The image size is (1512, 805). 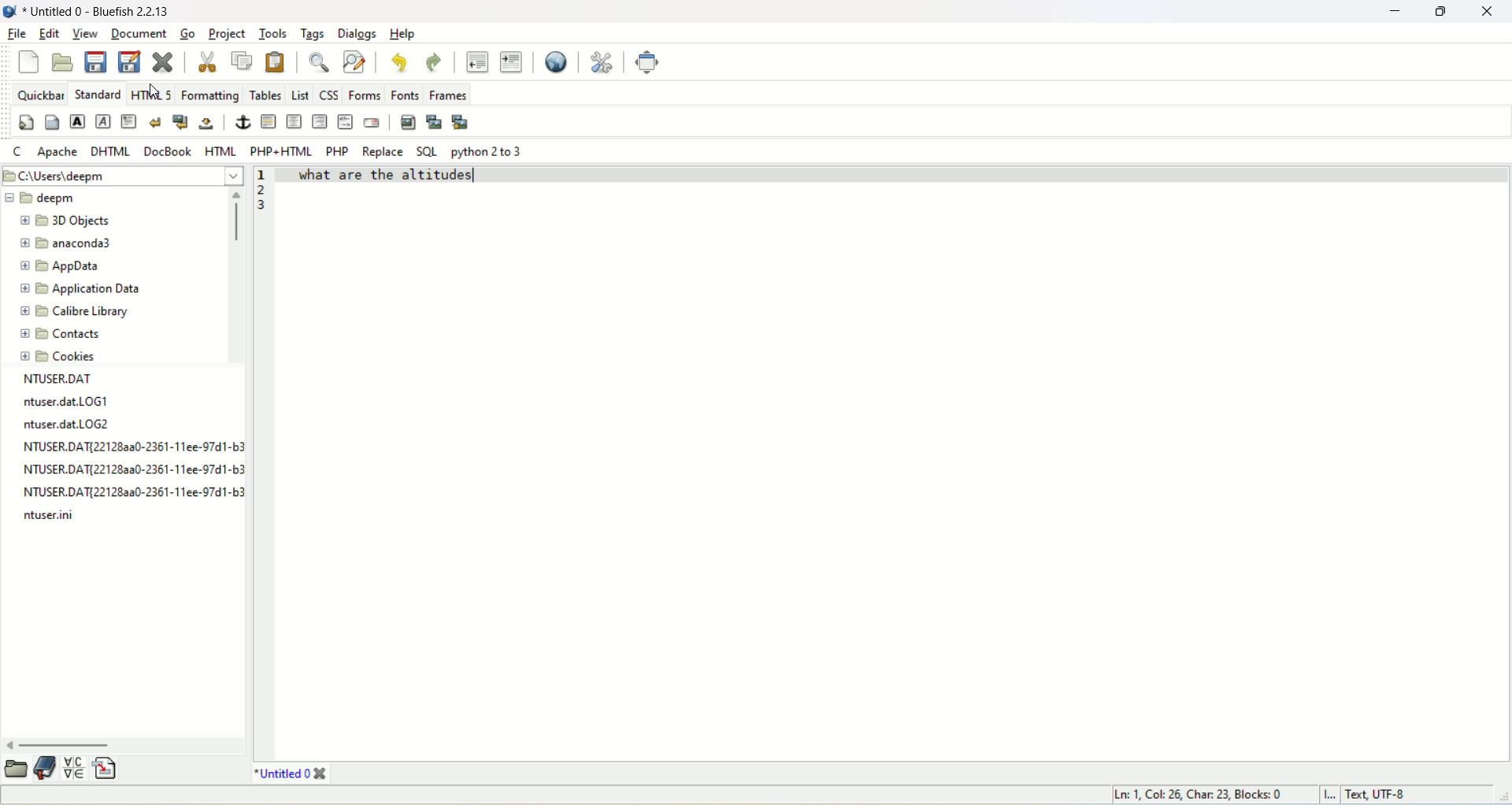 What do you see at coordinates (275, 61) in the screenshot?
I see `paste` at bounding box center [275, 61].